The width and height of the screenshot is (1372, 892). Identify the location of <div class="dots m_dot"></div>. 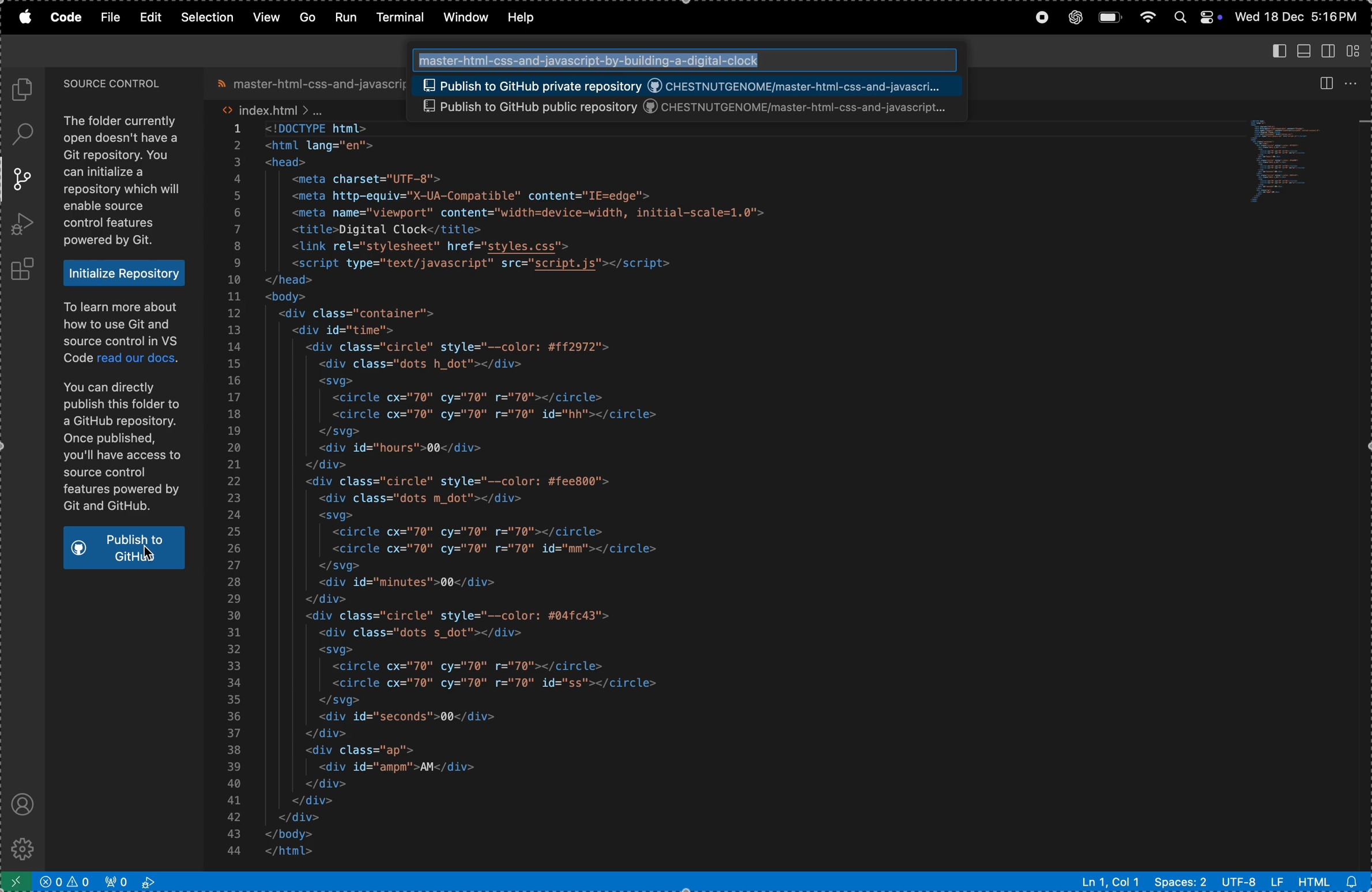
(429, 498).